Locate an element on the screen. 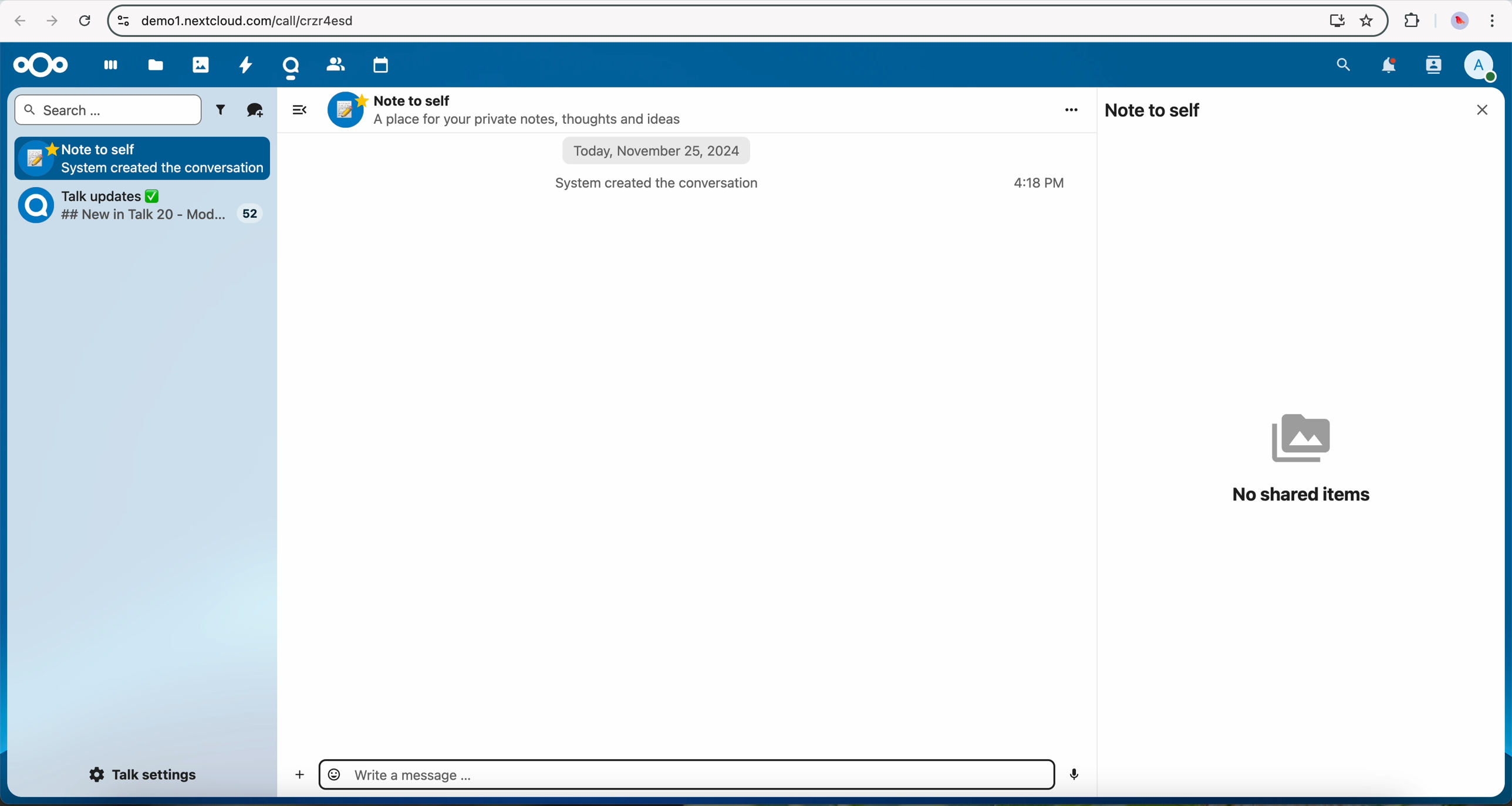 This screenshot has height=806, width=1512. search is located at coordinates (1344, 65).